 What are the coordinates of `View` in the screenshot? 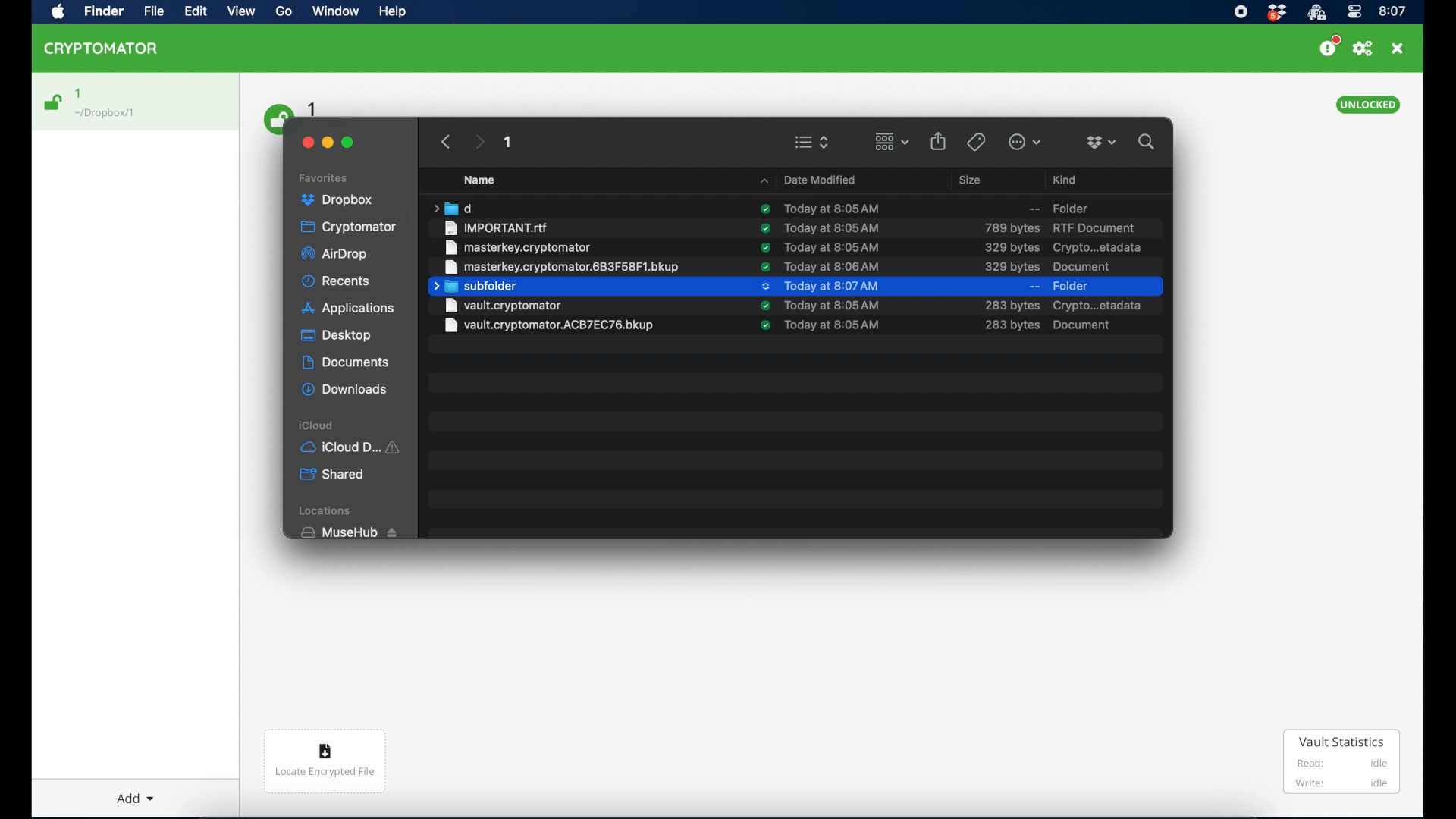 It's located at (243, 14).